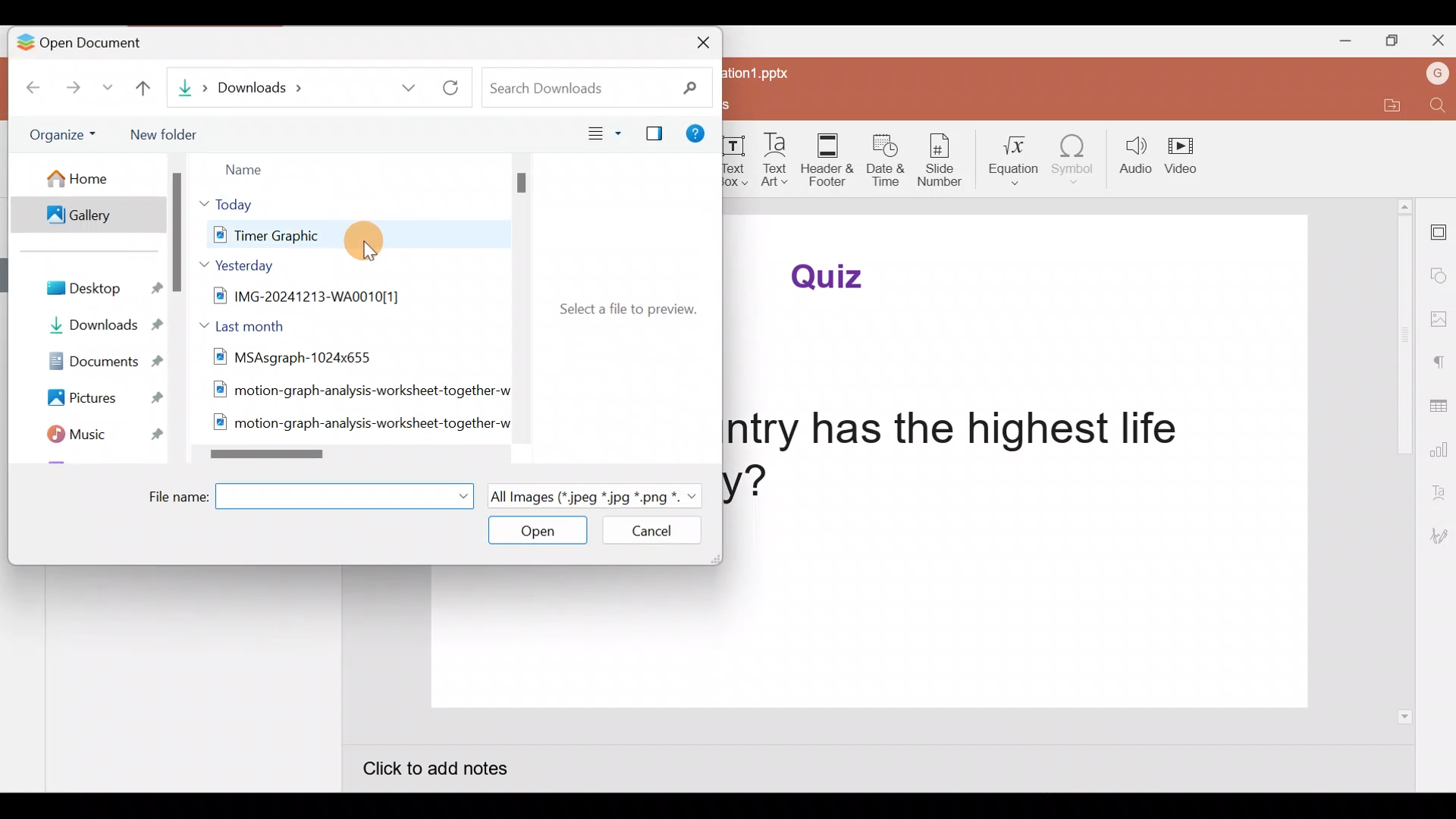 This screenshot has width=1456, height=819. What do you see at coordinates (297, 86) in the screenshot?
I see `Downloads` at bounding box center [297, 86].